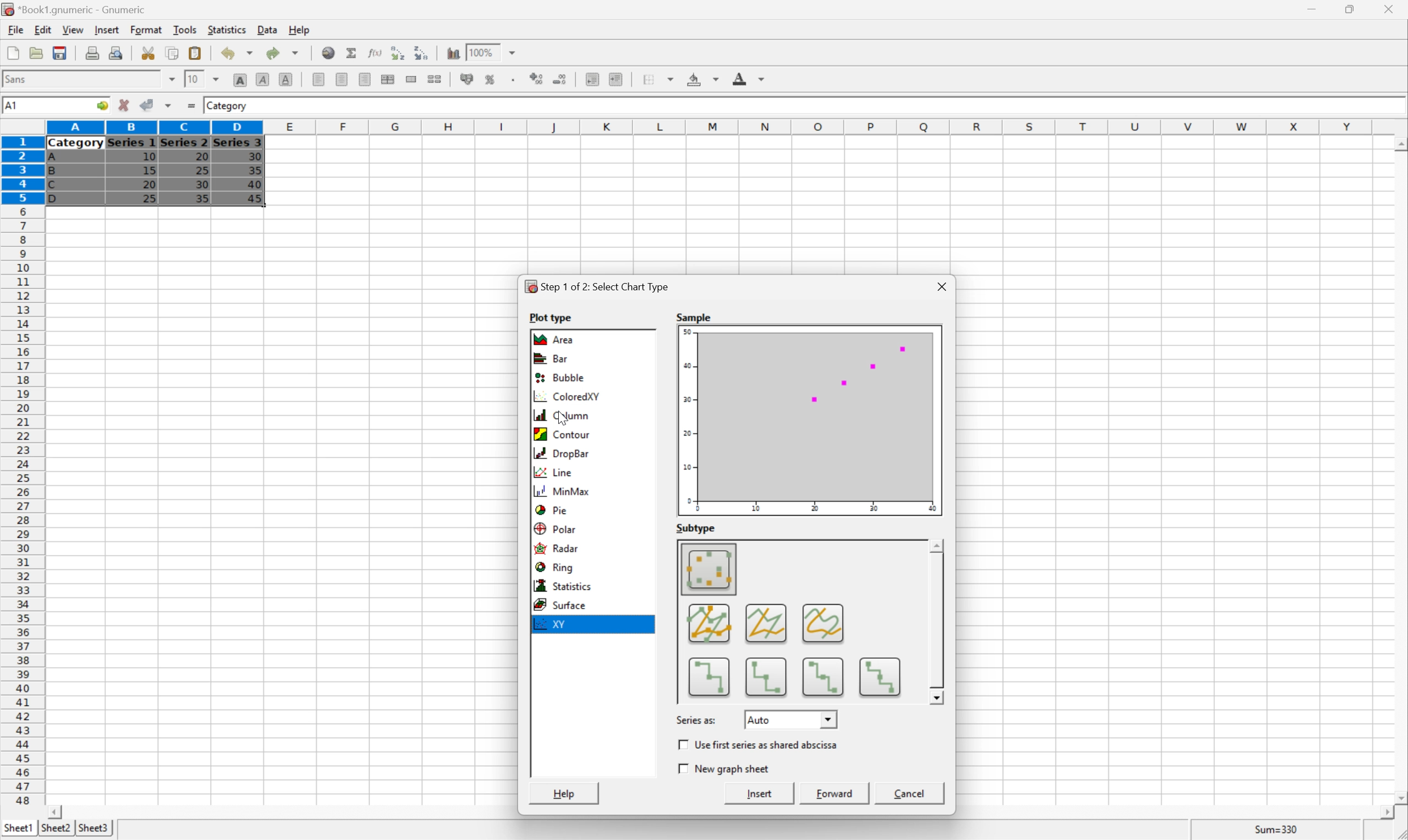 The image size is (1408, 840). Describe the element at coordinates (557, 529) in the screenshot. I see `Polar` at that location.